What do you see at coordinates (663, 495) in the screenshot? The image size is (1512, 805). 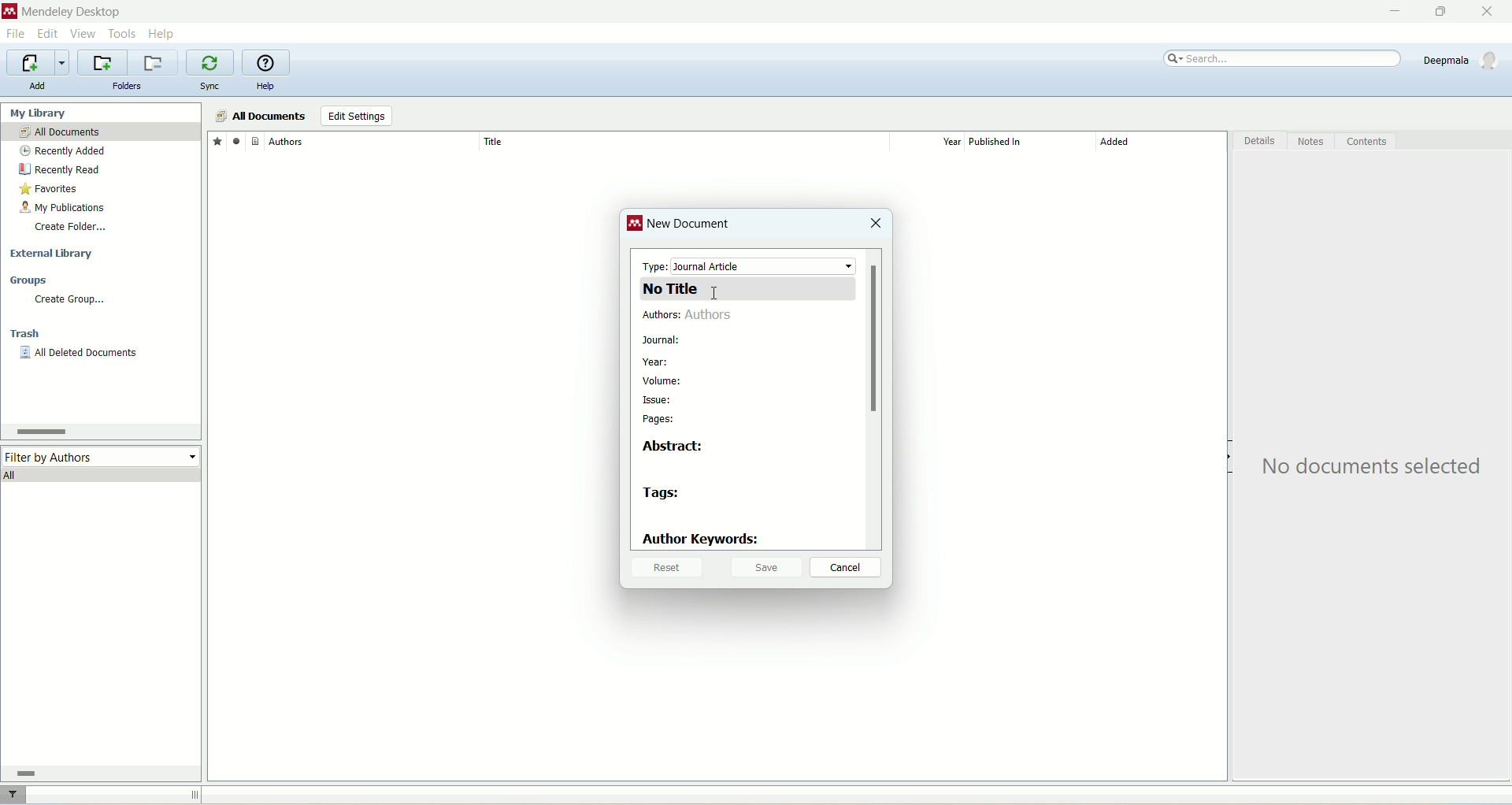 I see `tags` at bounding box center [663, 495].